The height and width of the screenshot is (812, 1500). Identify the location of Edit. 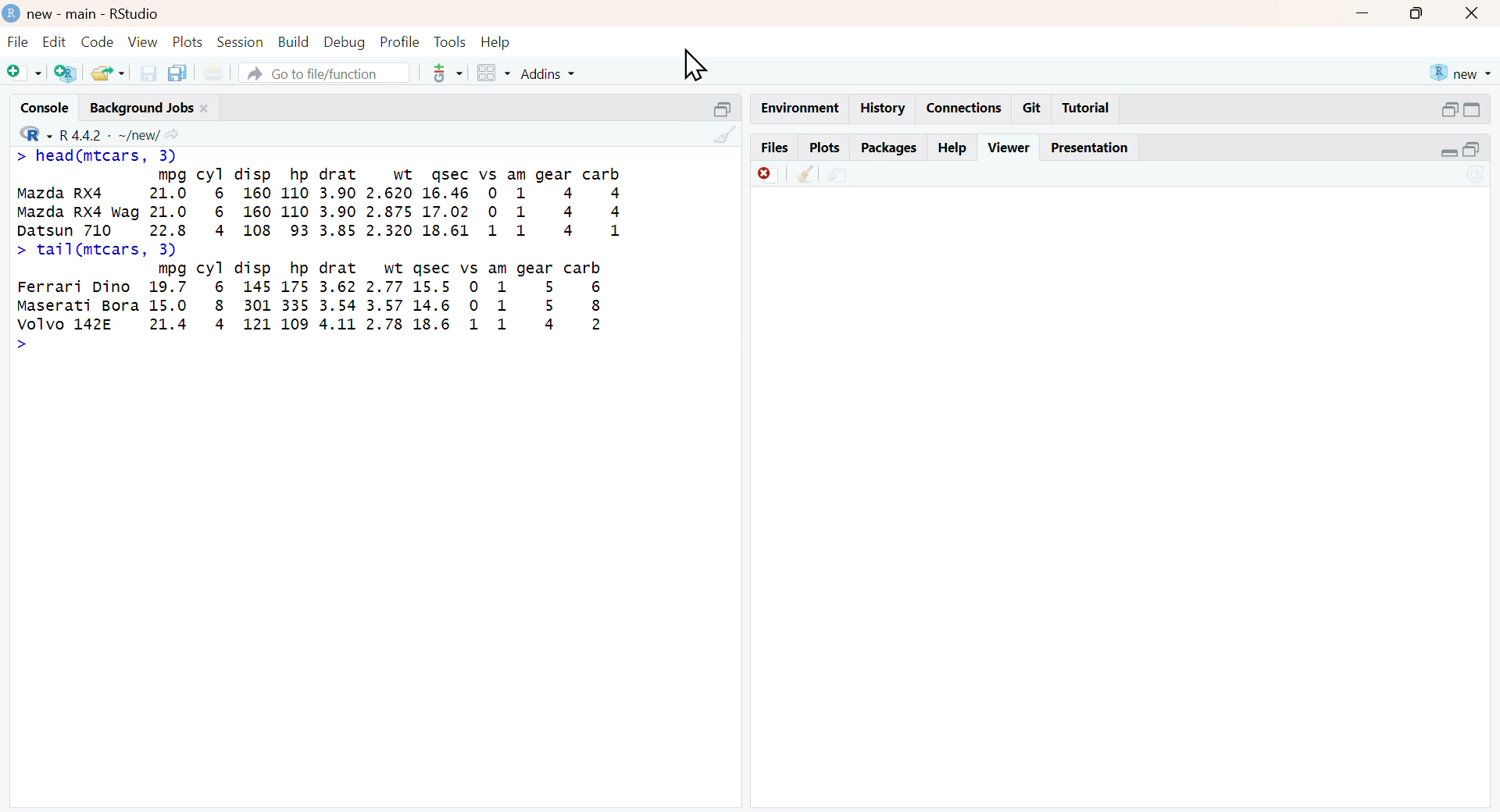
(52, 40).